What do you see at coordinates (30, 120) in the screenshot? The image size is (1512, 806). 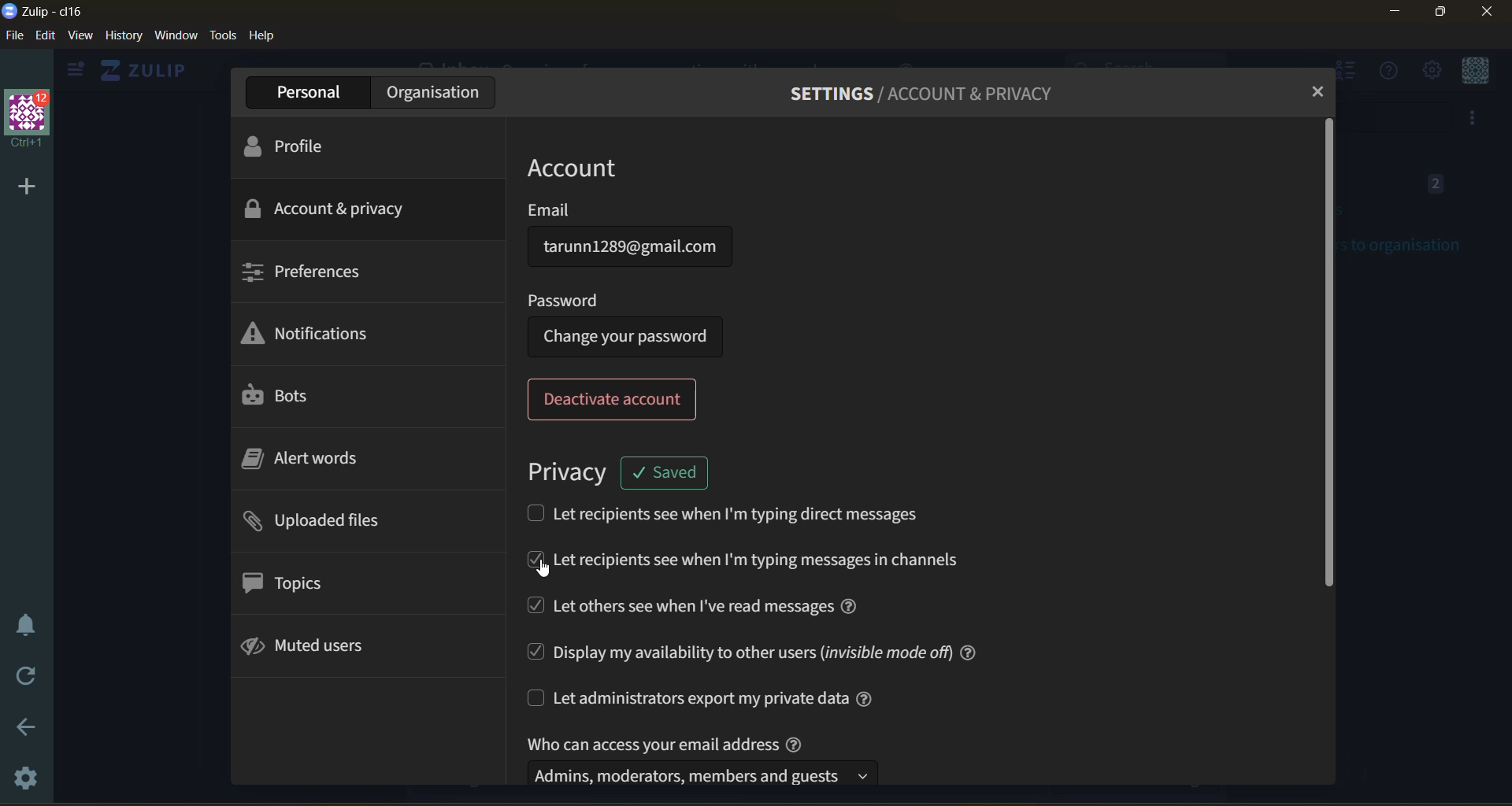 I see `organisation name and profile picture` at bounding box center [30, 120].